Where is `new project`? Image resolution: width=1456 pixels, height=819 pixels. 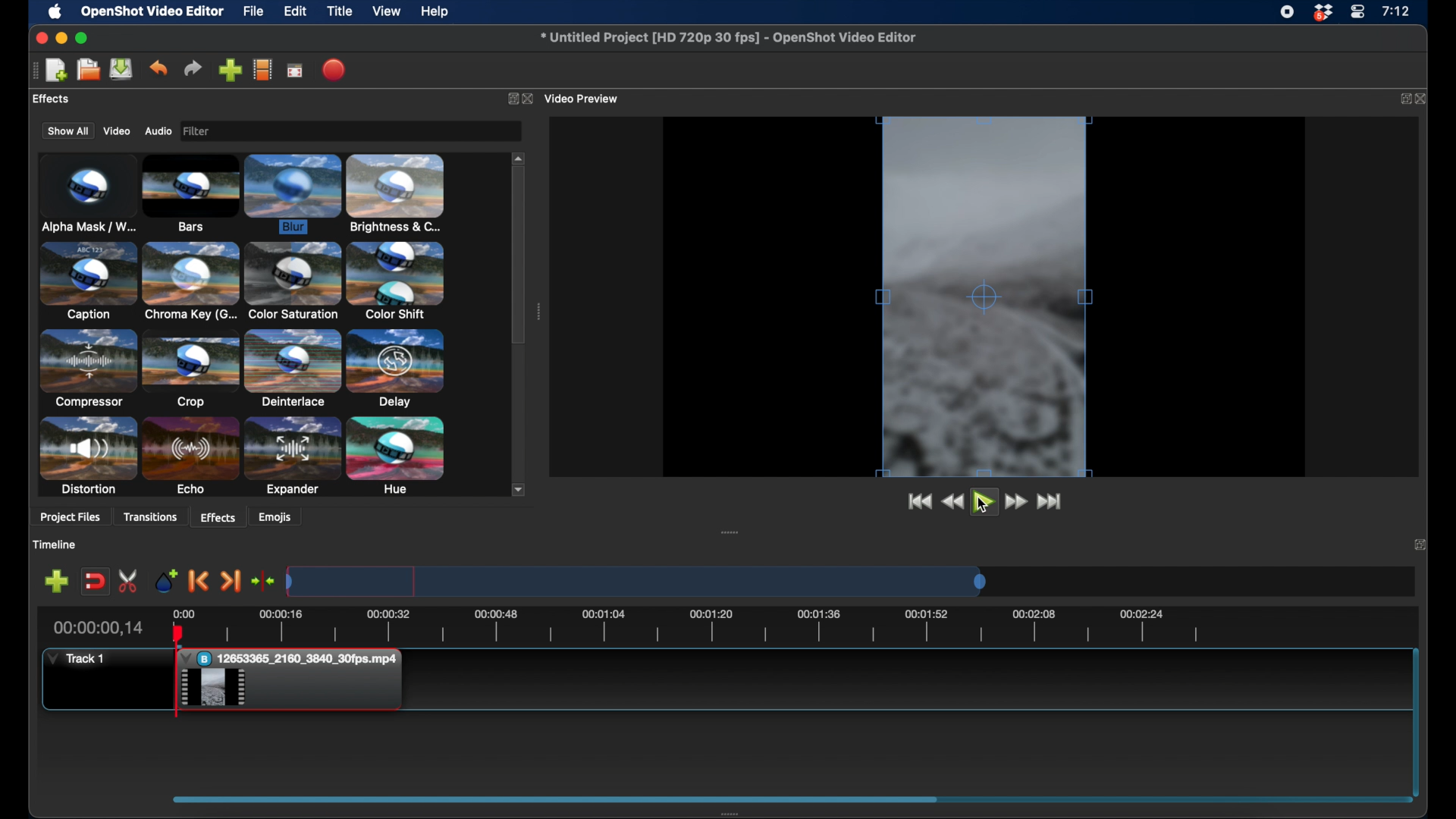 new project is located at coordinates (56, 71).